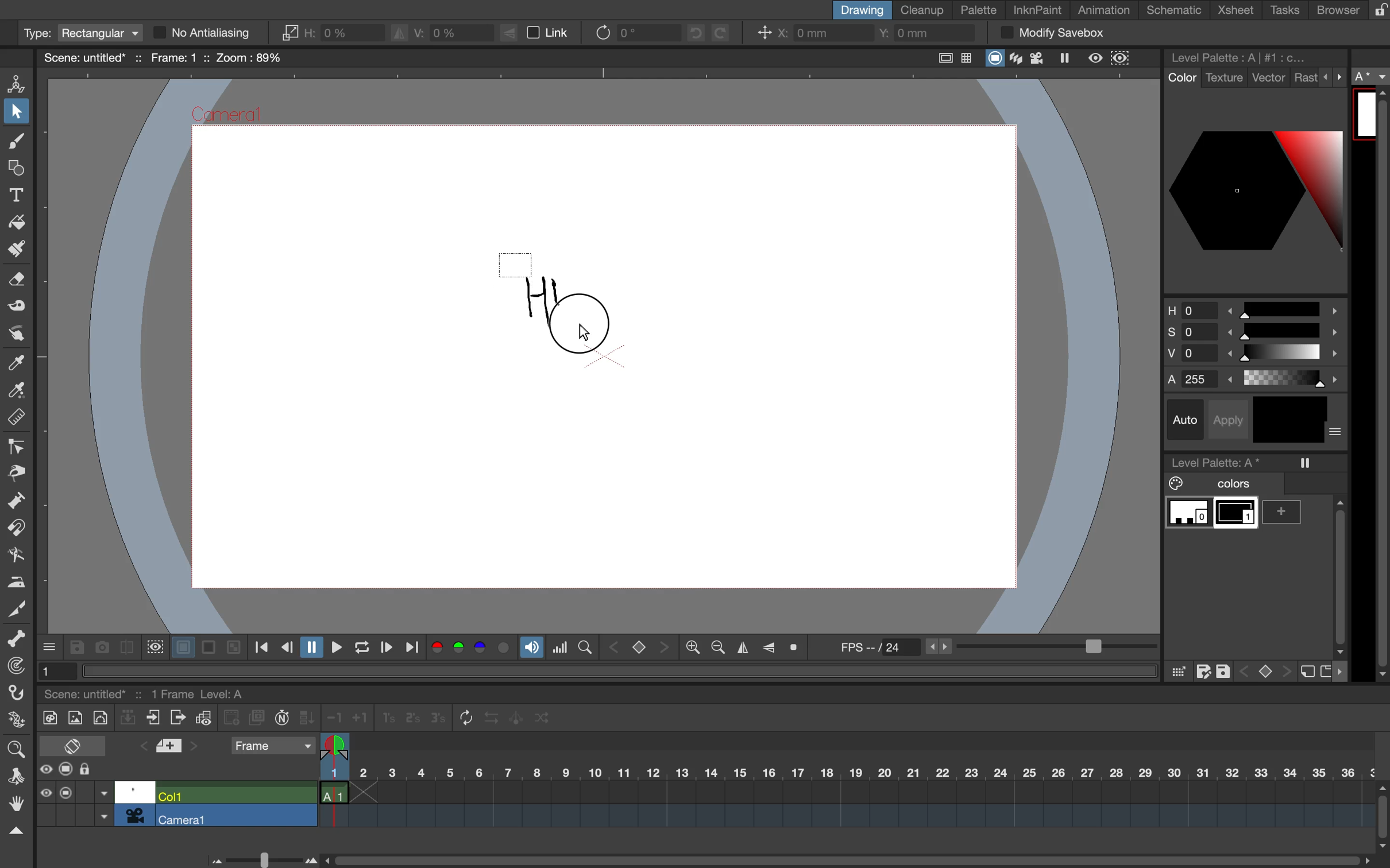 This screenshot has width=1390, height=868. Describe the element at coordinates (1283, 10) in the screenshot. I see `tasks` at that location.